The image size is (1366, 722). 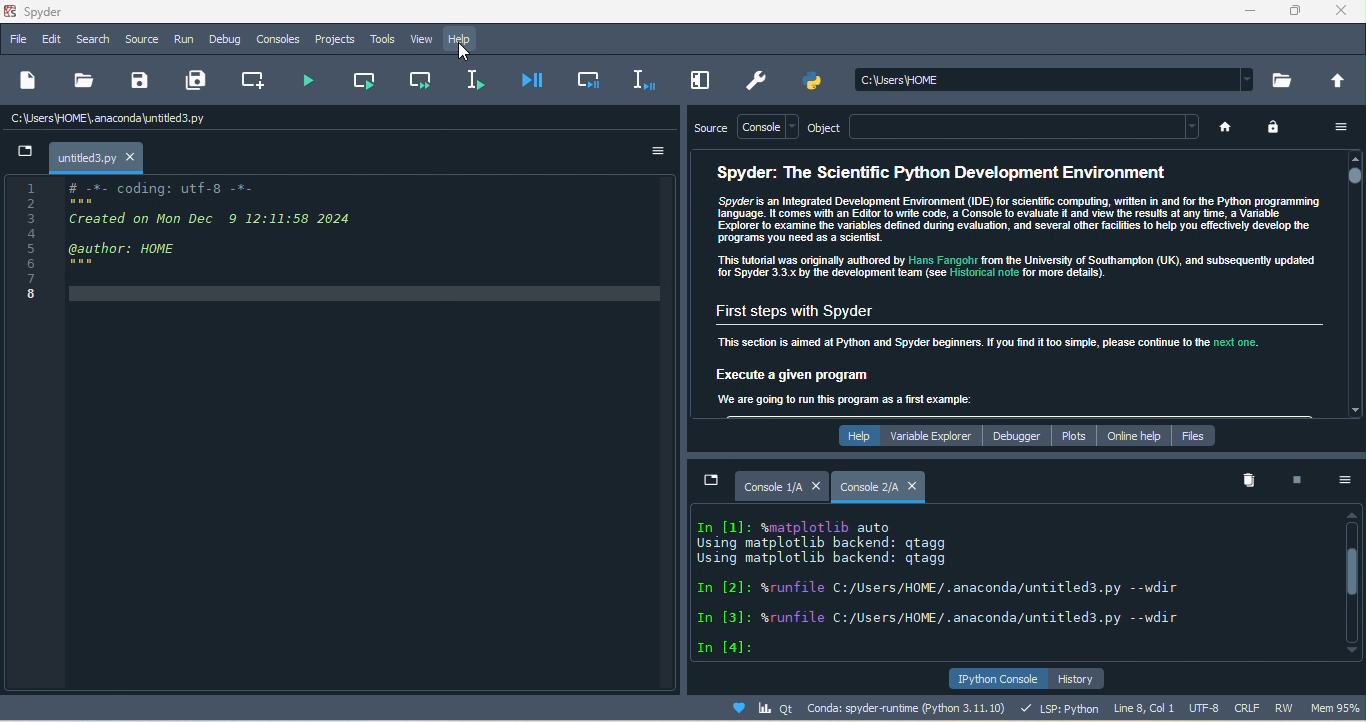 What do you see at coordinates (853, 435) in the screenshot?
I see `help` at bounding box center [853, 435].